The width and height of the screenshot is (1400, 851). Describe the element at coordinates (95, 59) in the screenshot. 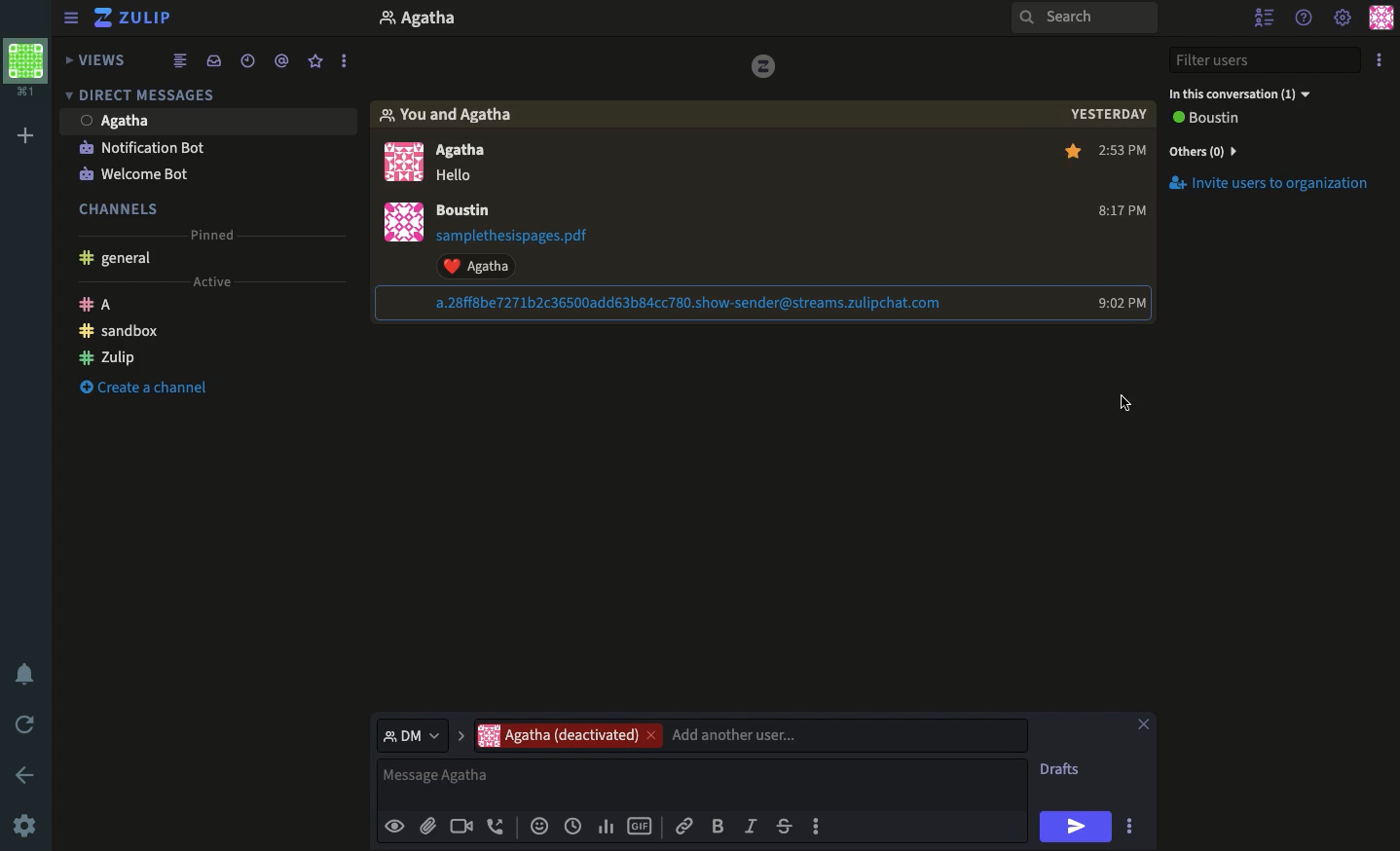

I see `Views` at that location.